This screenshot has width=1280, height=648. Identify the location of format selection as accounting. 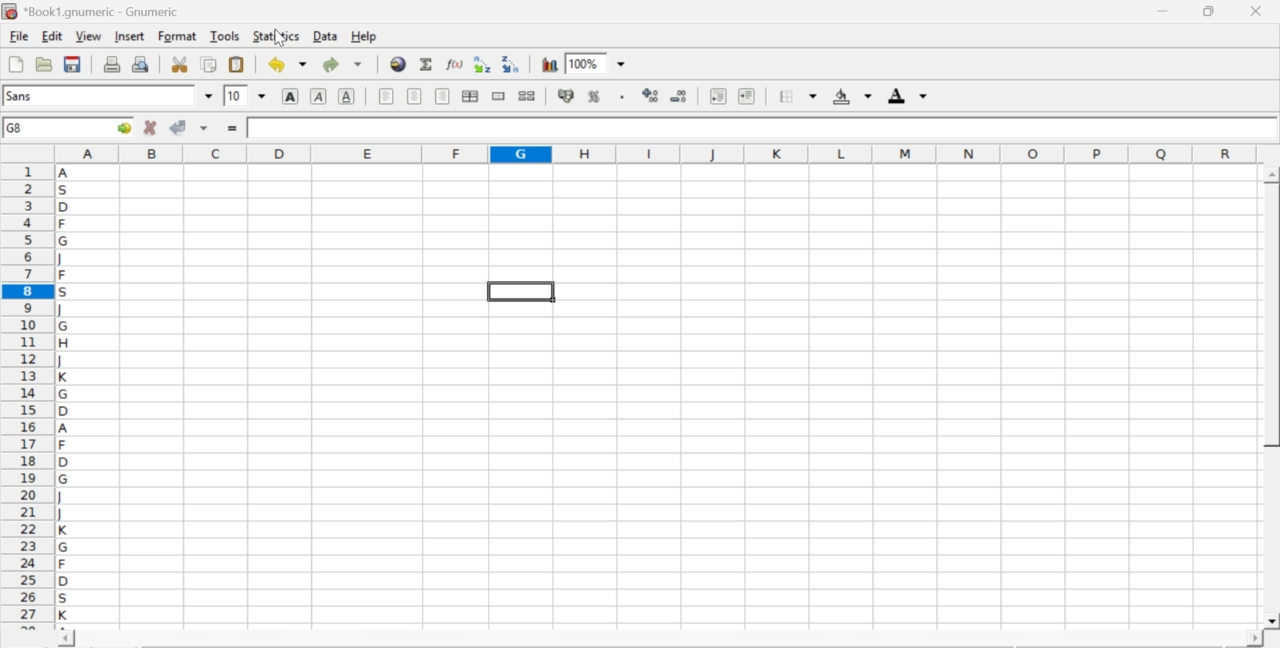
(566, 95).